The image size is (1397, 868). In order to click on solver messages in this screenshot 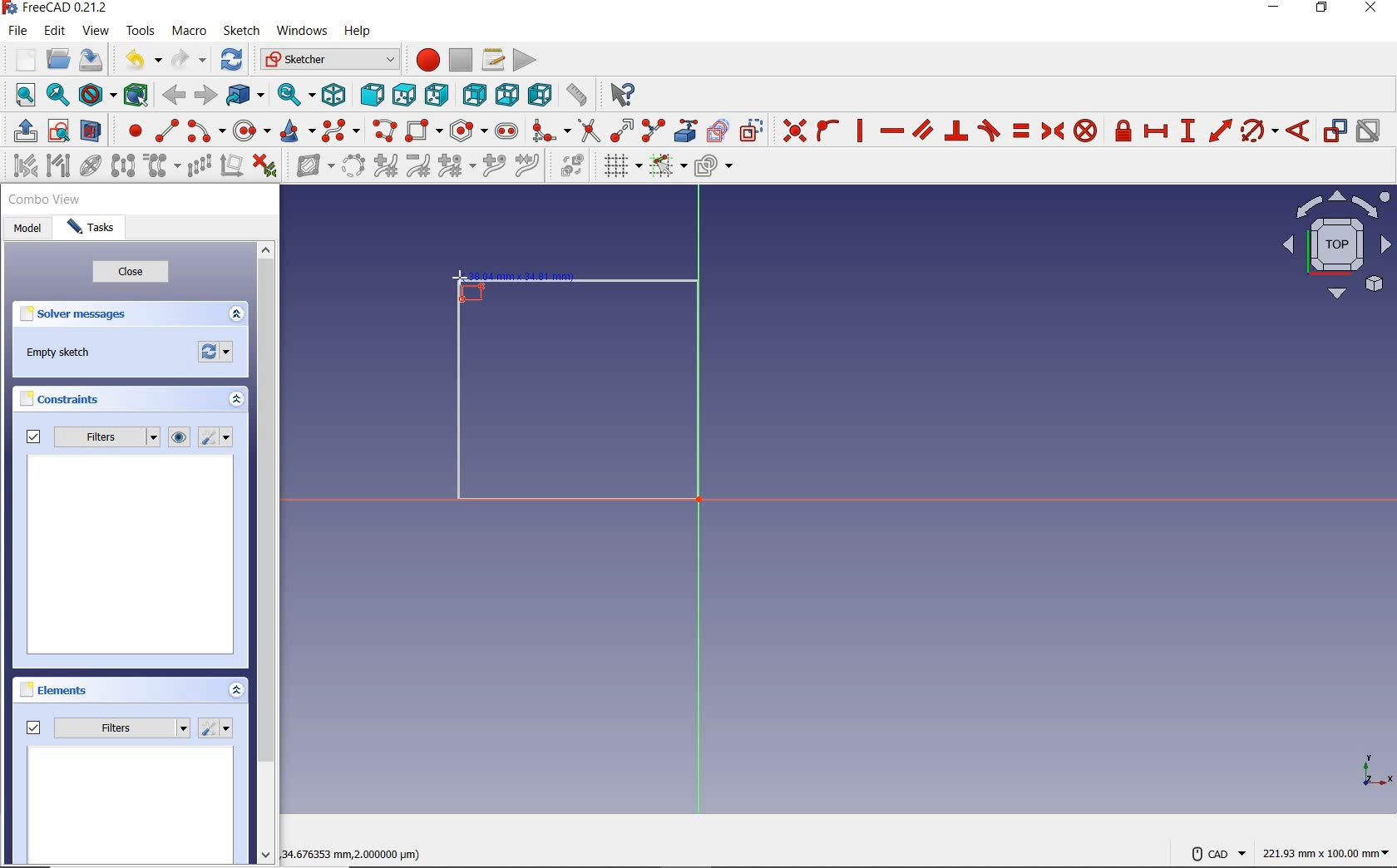, I will do `click(77, 317)`.